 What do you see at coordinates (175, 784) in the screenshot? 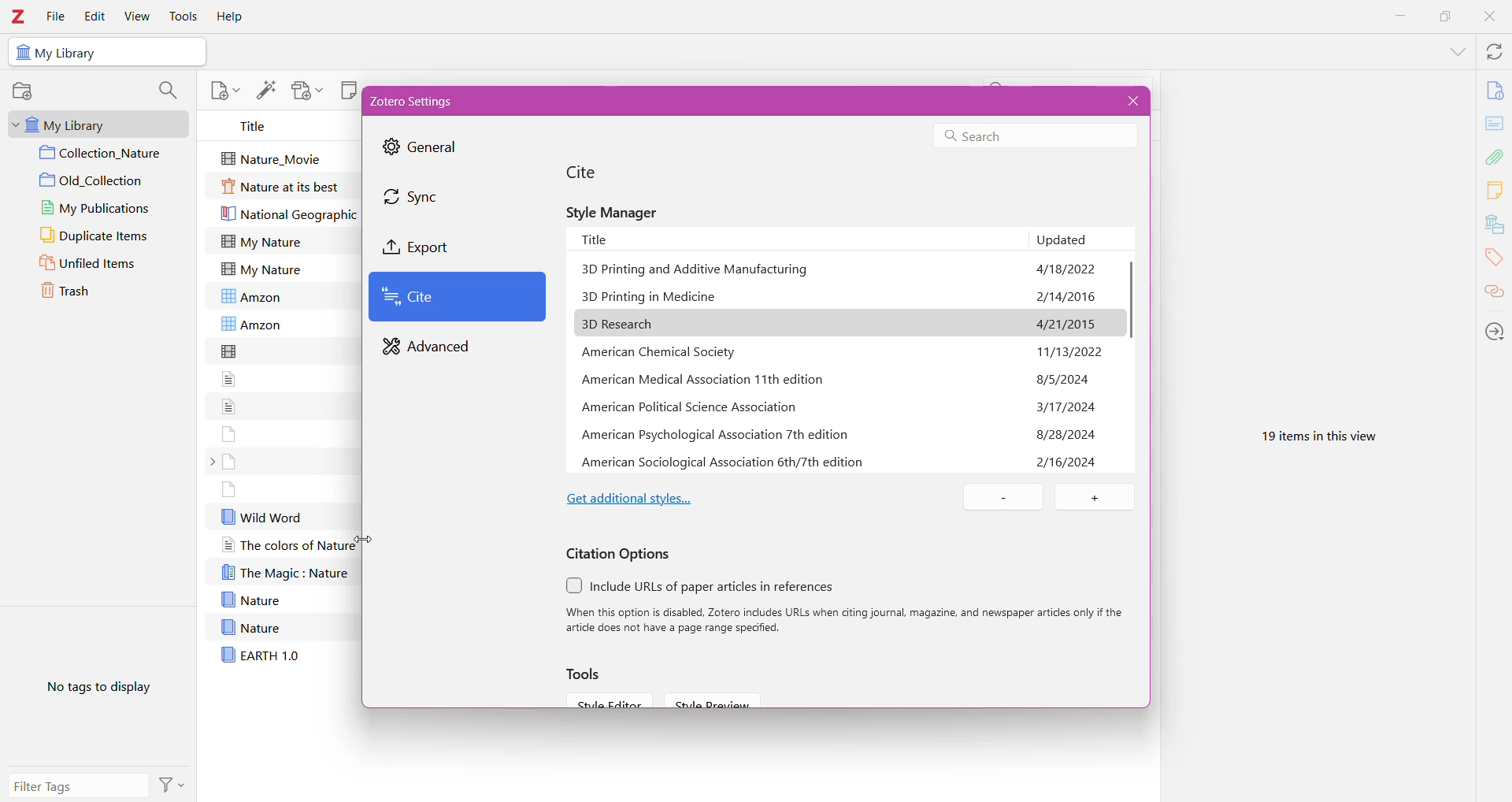
I see `Actions` at bounding box center [175, 784].